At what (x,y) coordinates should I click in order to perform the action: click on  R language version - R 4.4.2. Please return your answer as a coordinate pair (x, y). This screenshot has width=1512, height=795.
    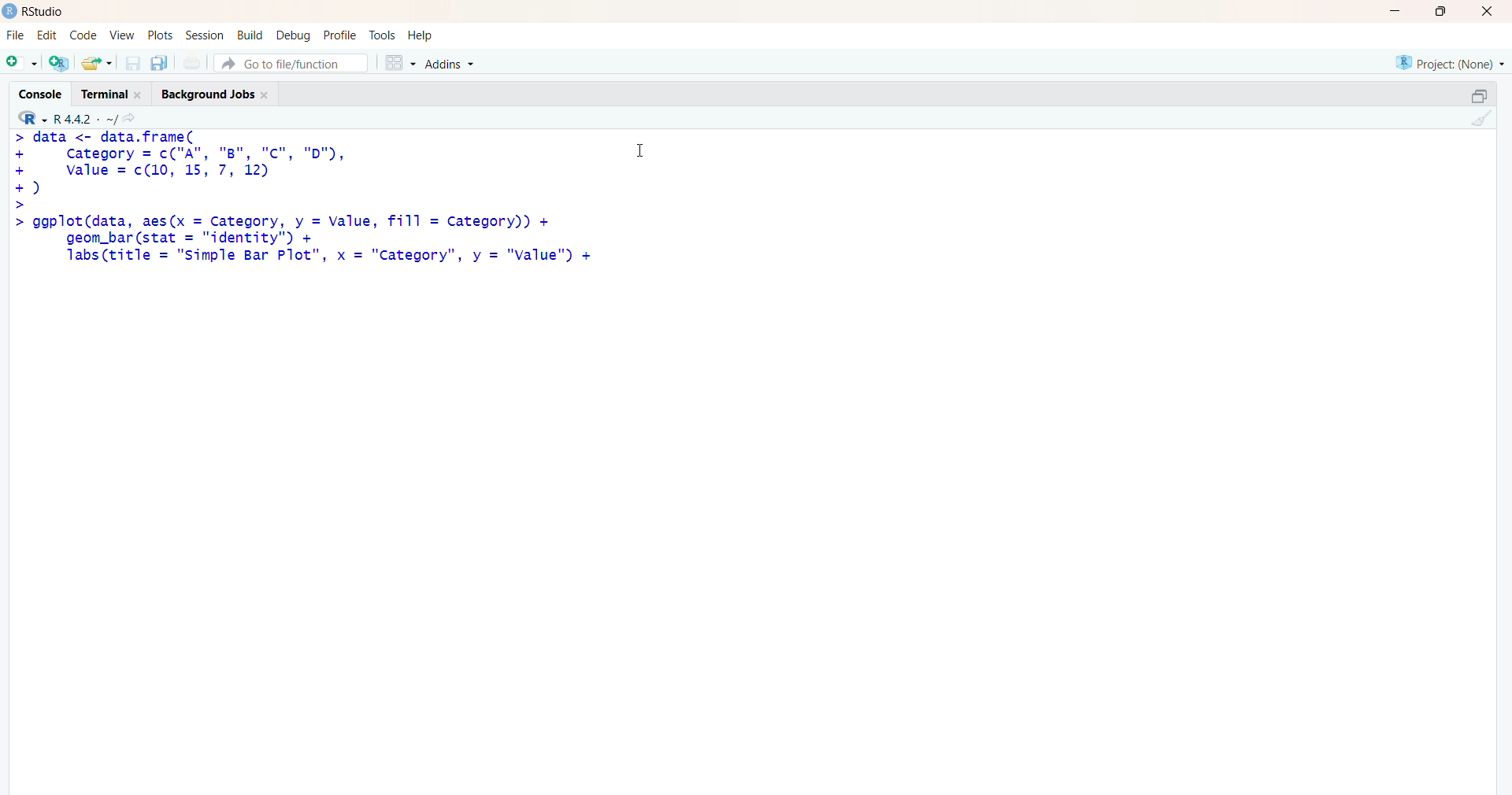
    Looking at the image, I should click on (85, 117).